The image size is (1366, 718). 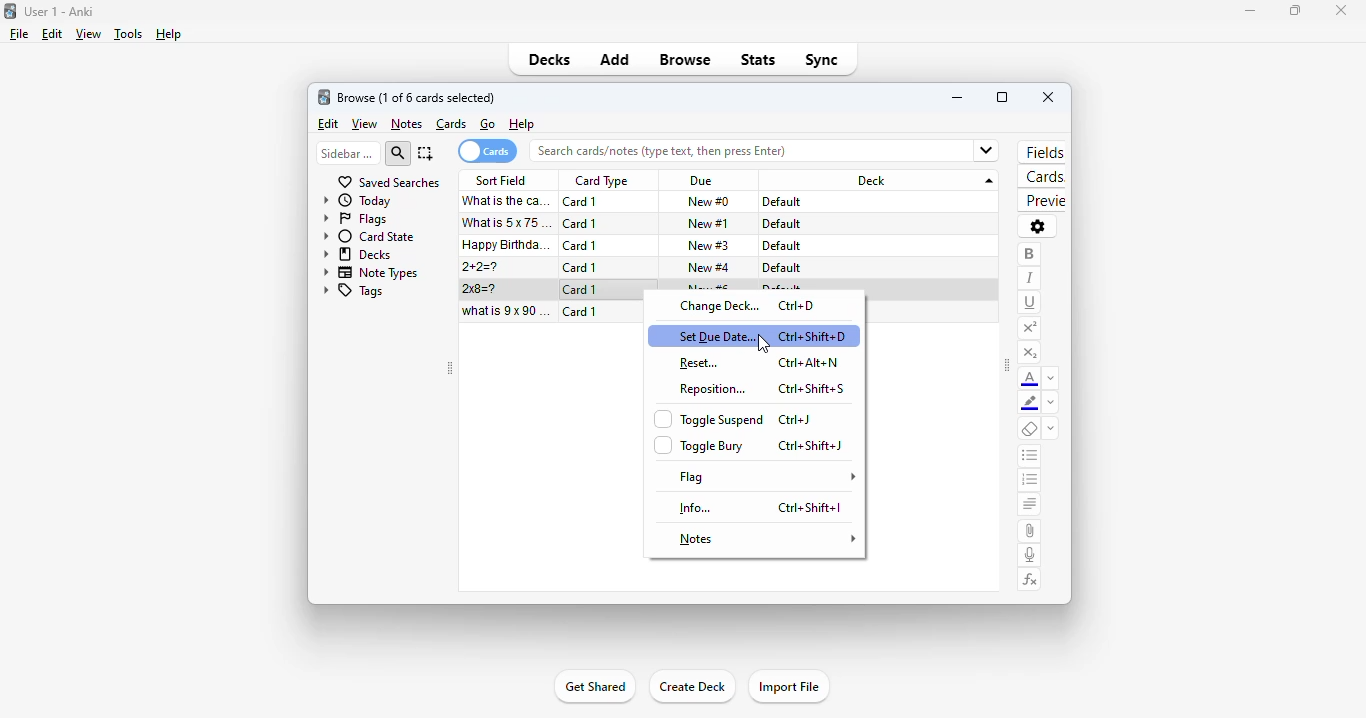 What do you see at coordinates (767, 150) in the screenshot?
I see `Search cards/notes (type text, then press Enter)` at bounding box center [767, 150].